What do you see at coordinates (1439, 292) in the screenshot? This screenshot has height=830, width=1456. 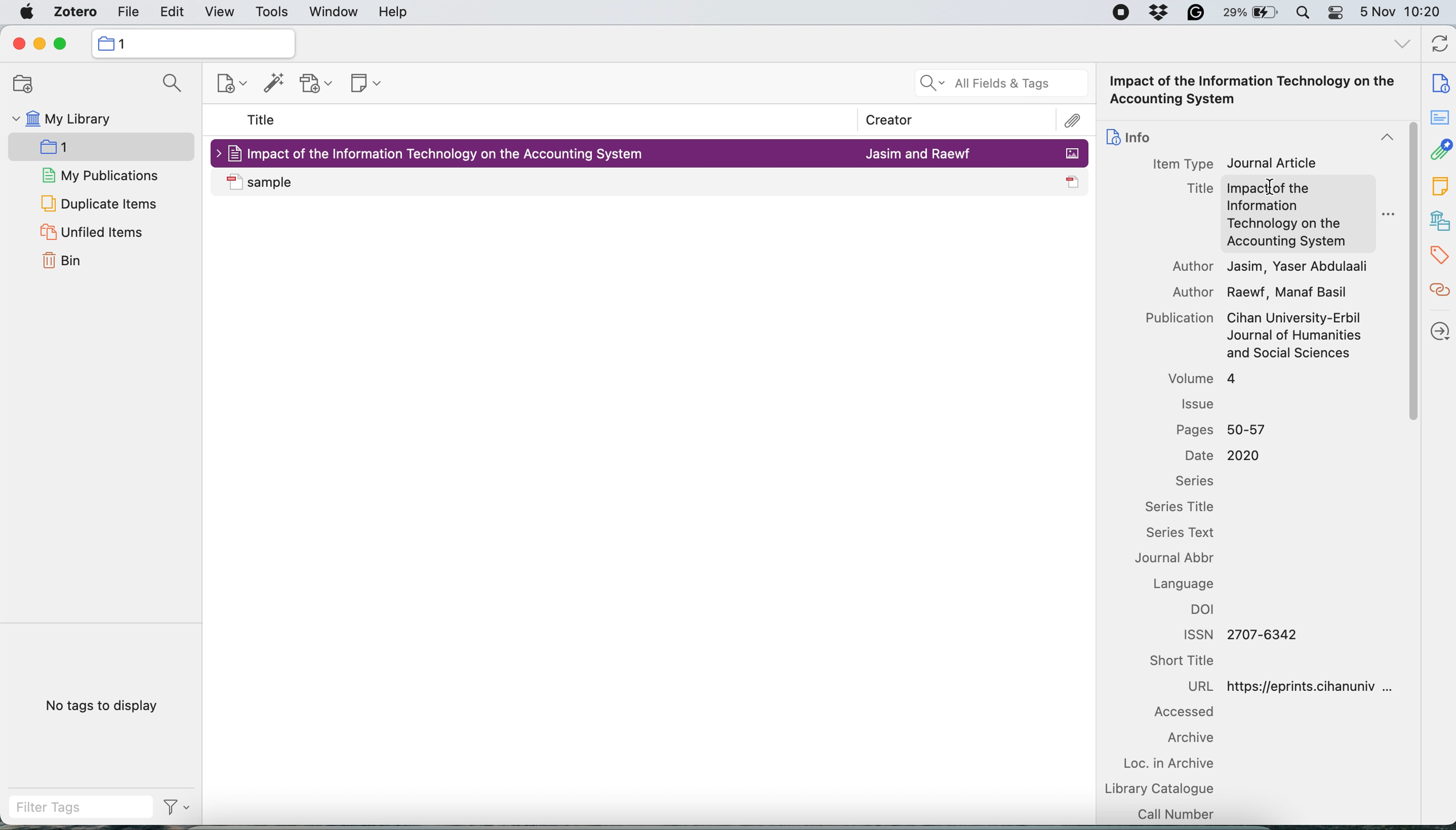 I see `related` at bounding box center [1439, 292].